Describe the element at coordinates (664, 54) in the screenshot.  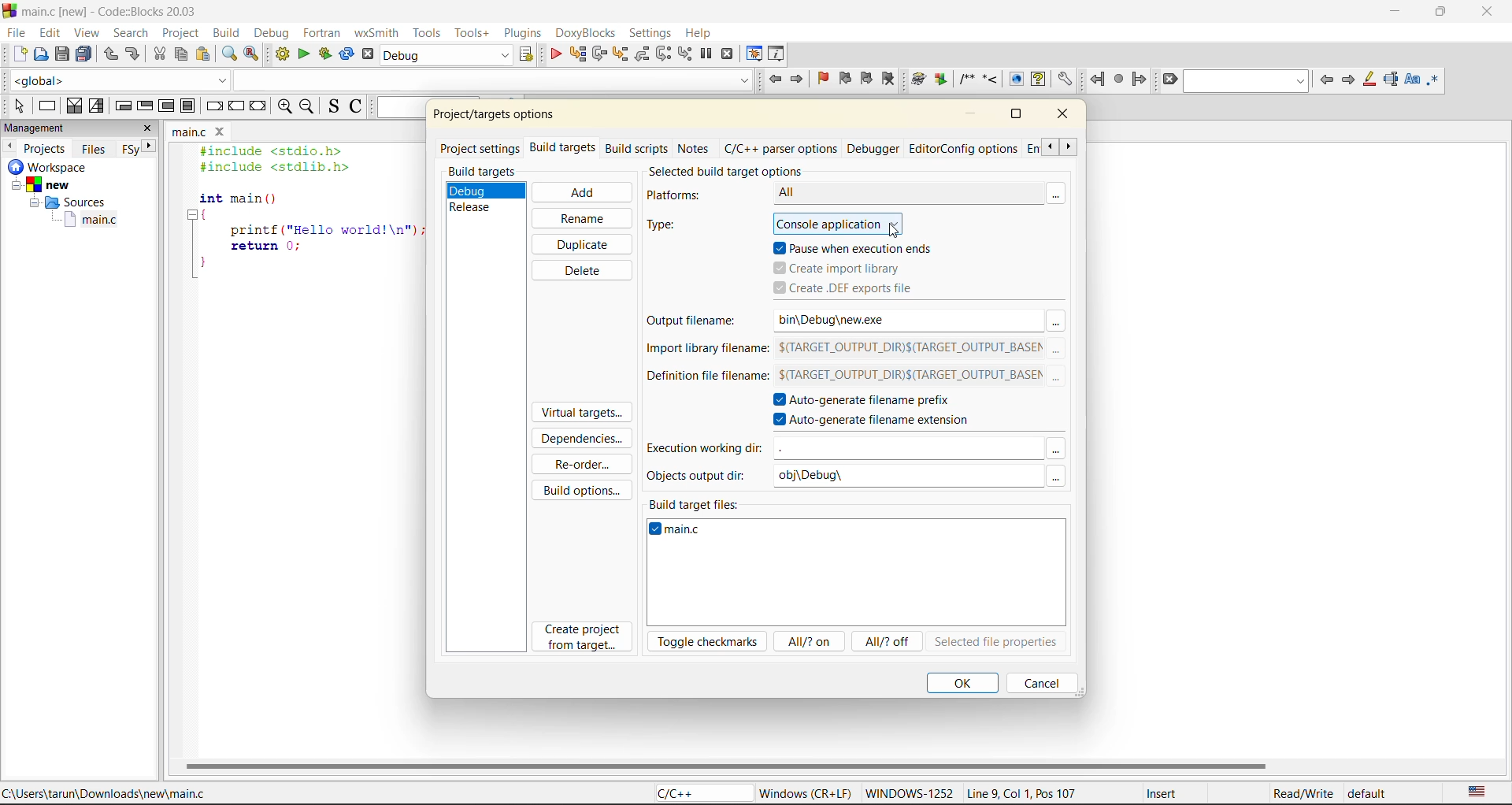
I see `next instruction` at that location.